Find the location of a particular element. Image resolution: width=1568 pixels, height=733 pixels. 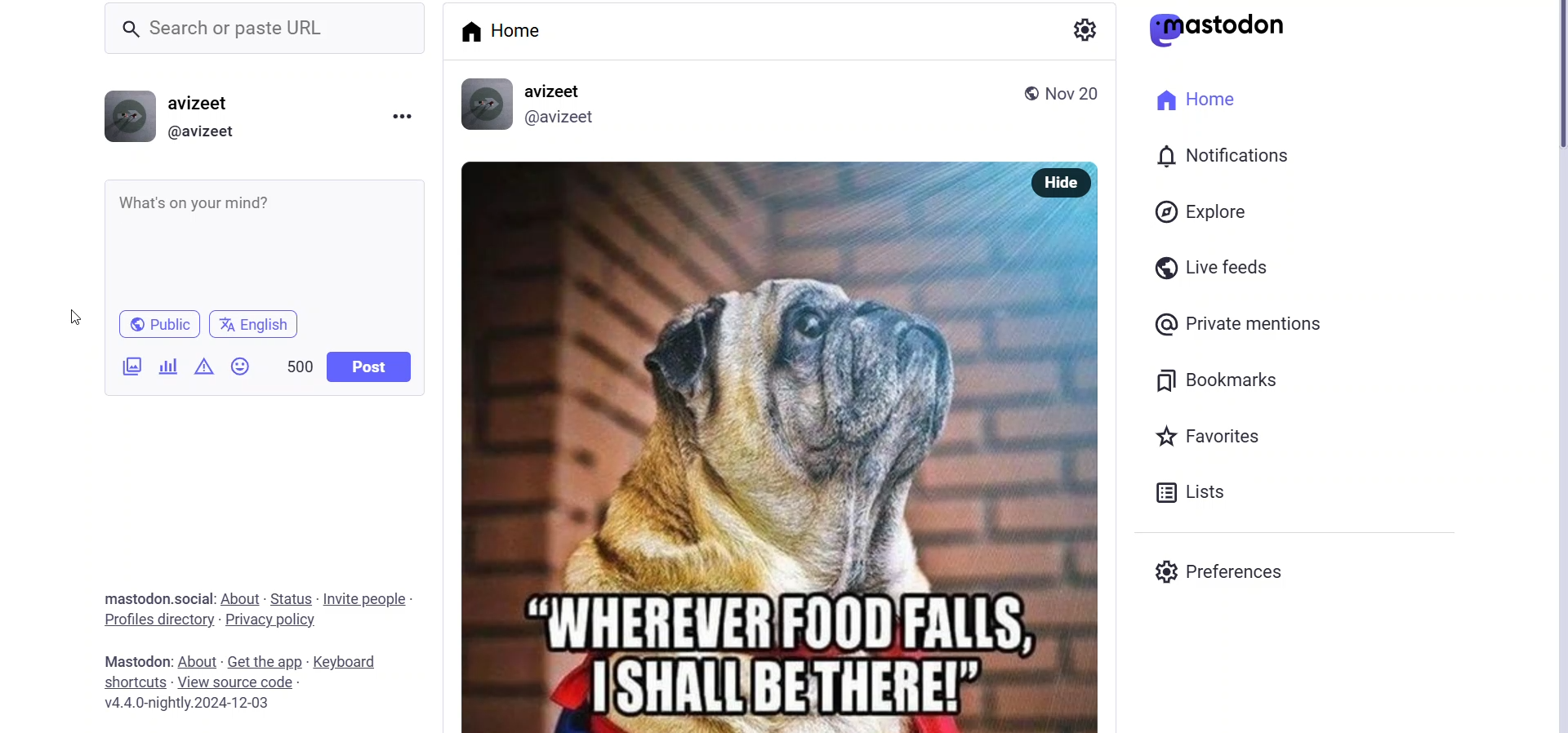

about is located at coordinates (240, 598).